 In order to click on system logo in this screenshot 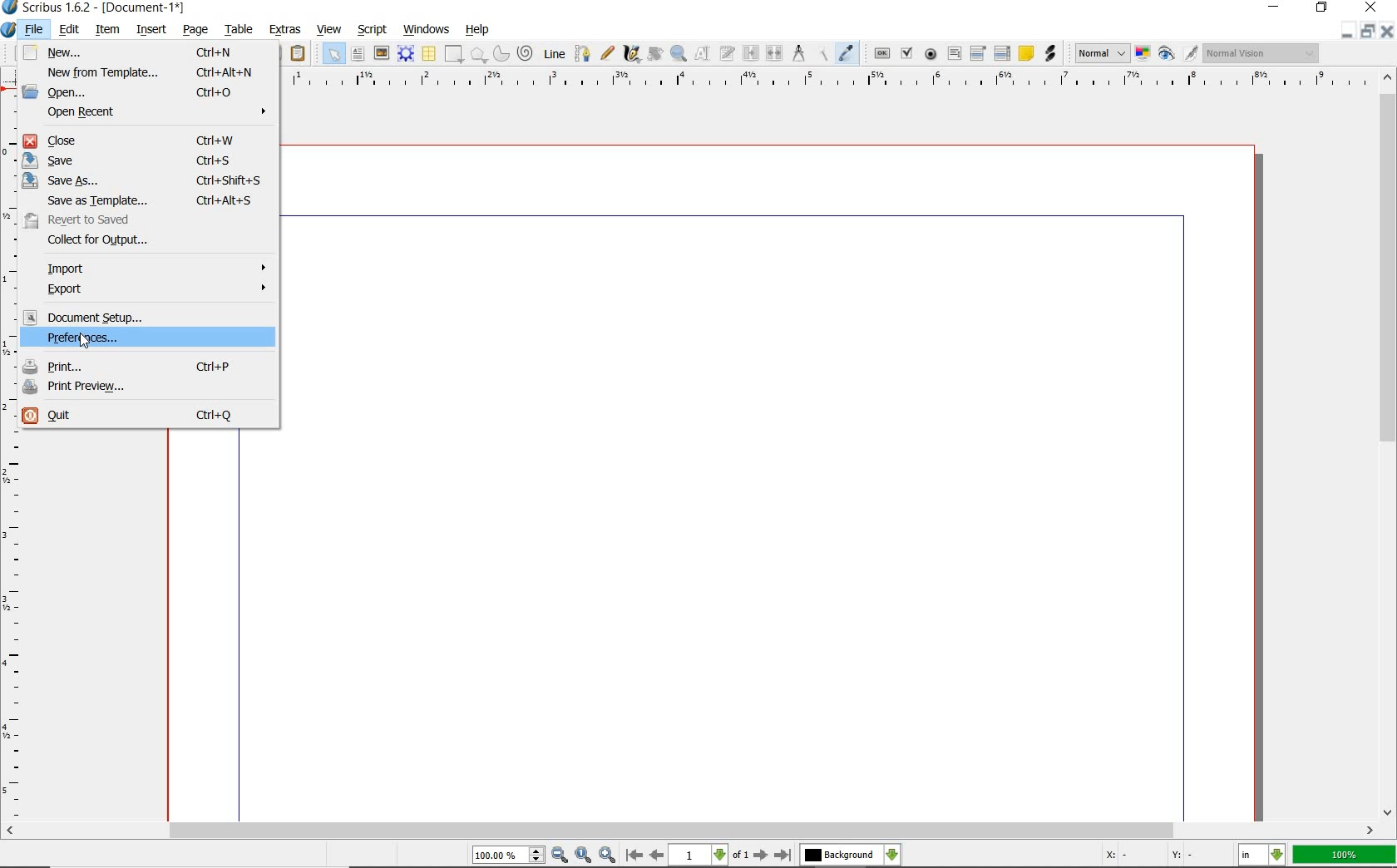, I will do `click(9, 31)`.